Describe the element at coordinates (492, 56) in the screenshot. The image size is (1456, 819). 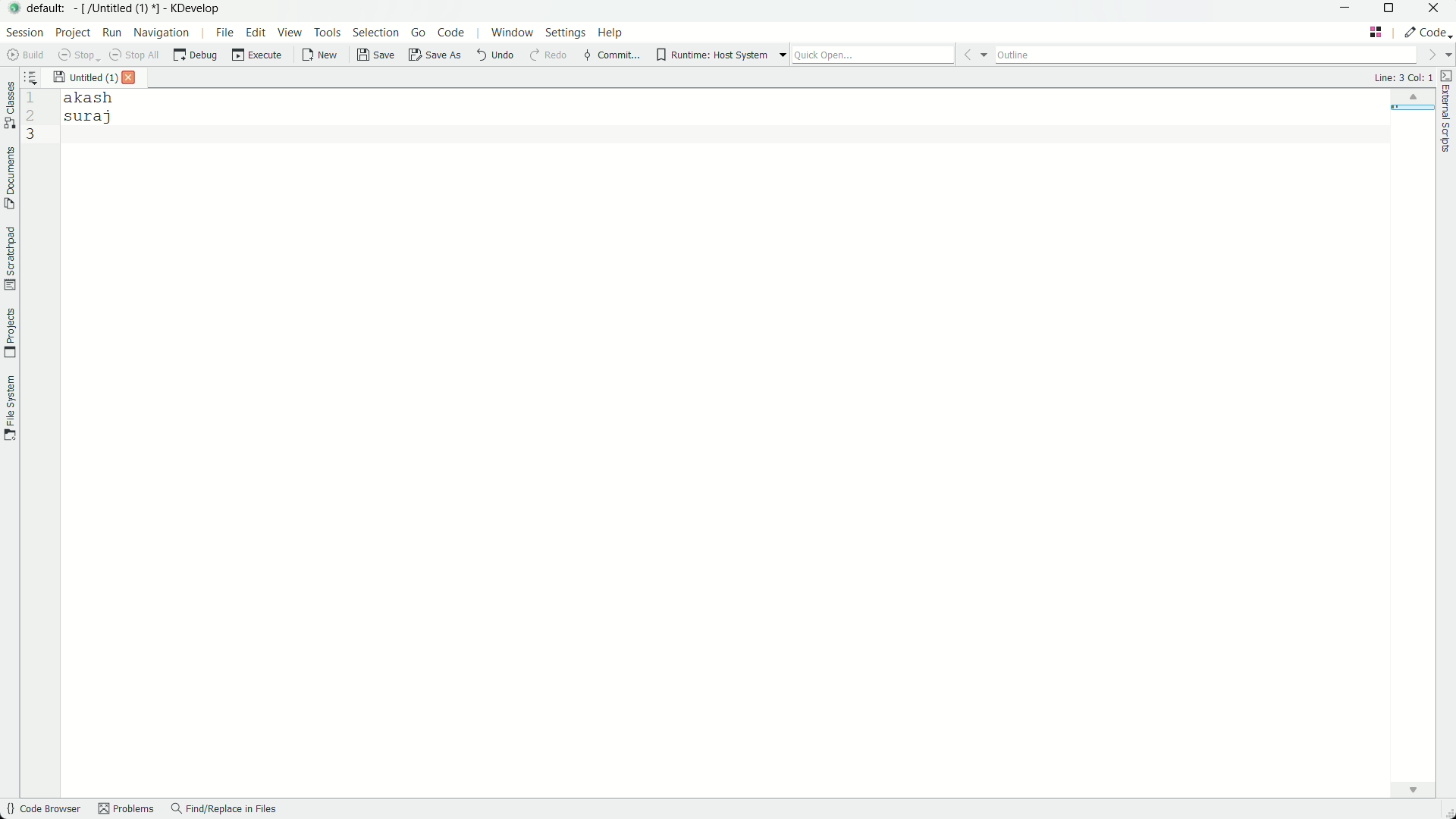
I see `undo` at that location.